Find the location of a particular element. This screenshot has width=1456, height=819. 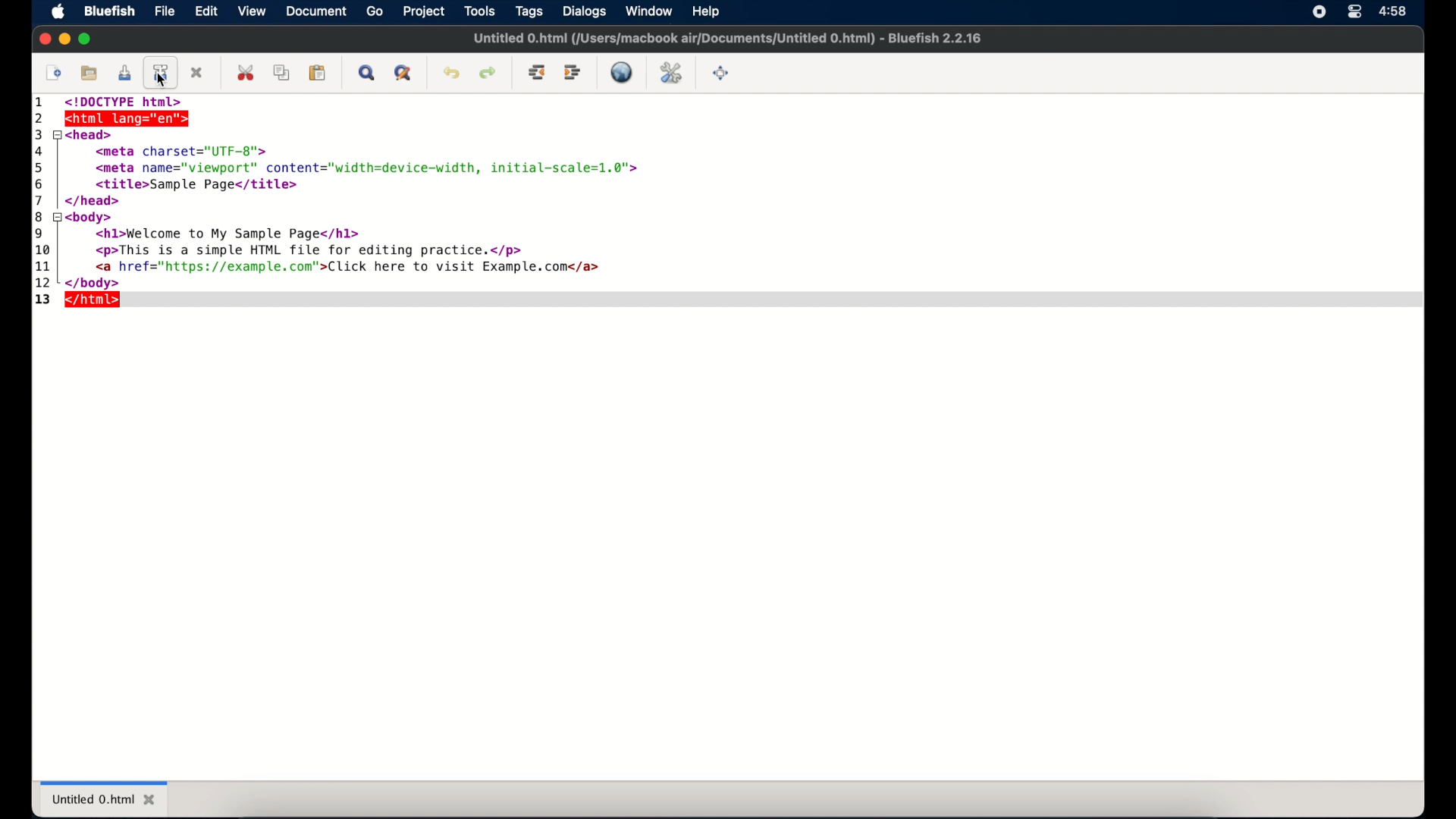

minimize is located at coordinates (64, 38).